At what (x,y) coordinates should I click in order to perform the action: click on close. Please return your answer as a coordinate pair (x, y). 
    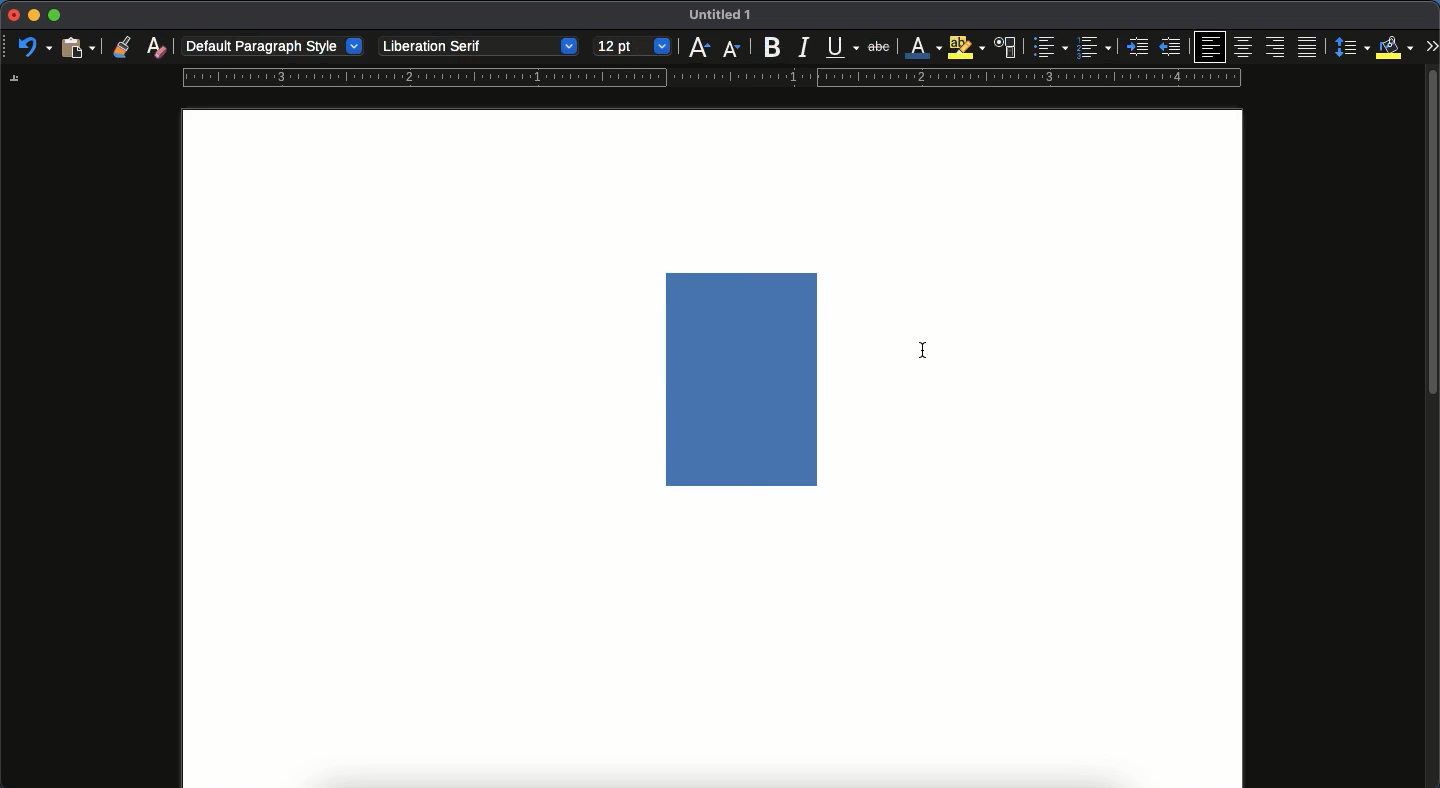
    Looking at the image, I should click on (12, 16).